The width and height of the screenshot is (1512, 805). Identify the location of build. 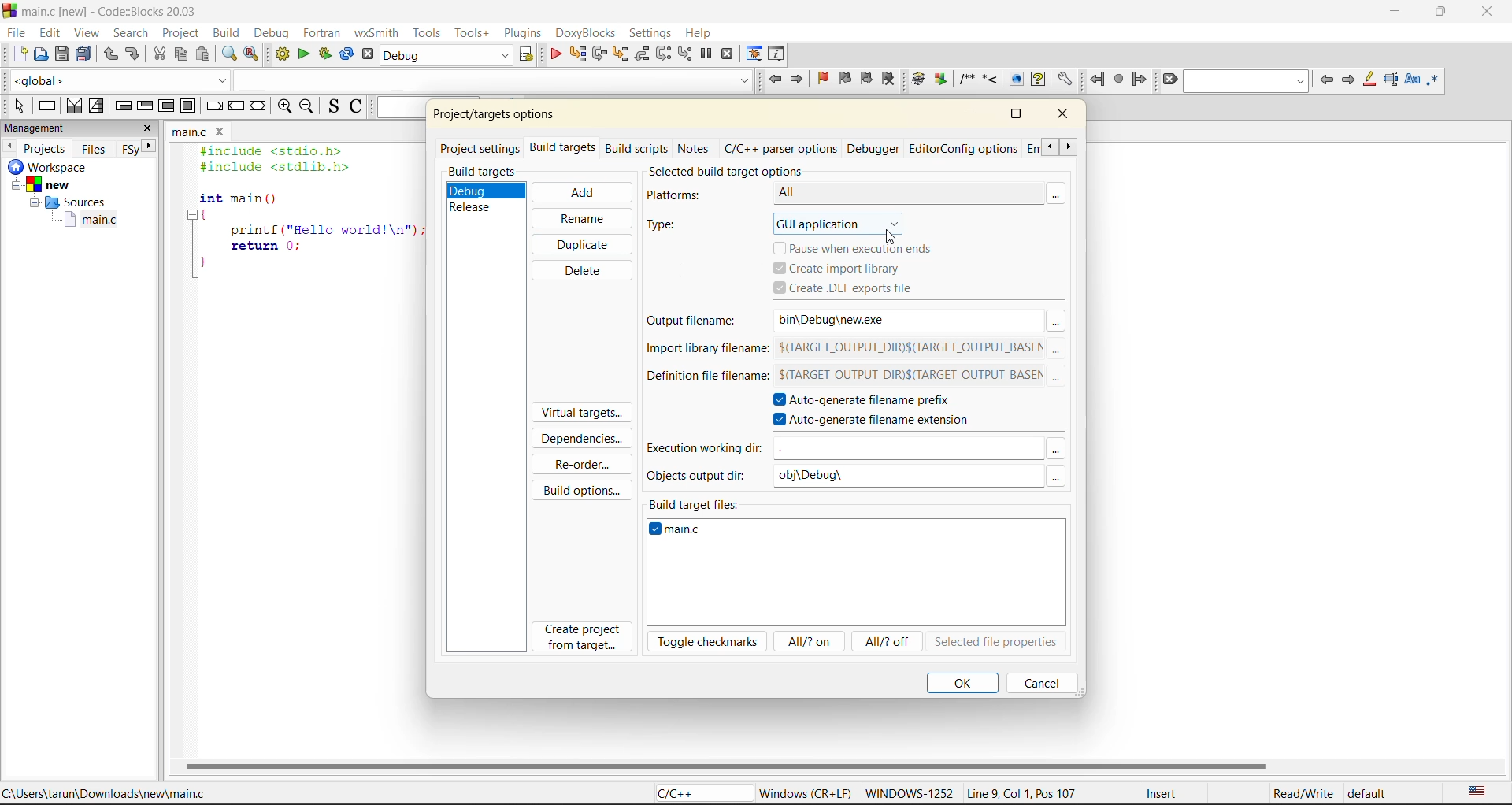
(283, 54).